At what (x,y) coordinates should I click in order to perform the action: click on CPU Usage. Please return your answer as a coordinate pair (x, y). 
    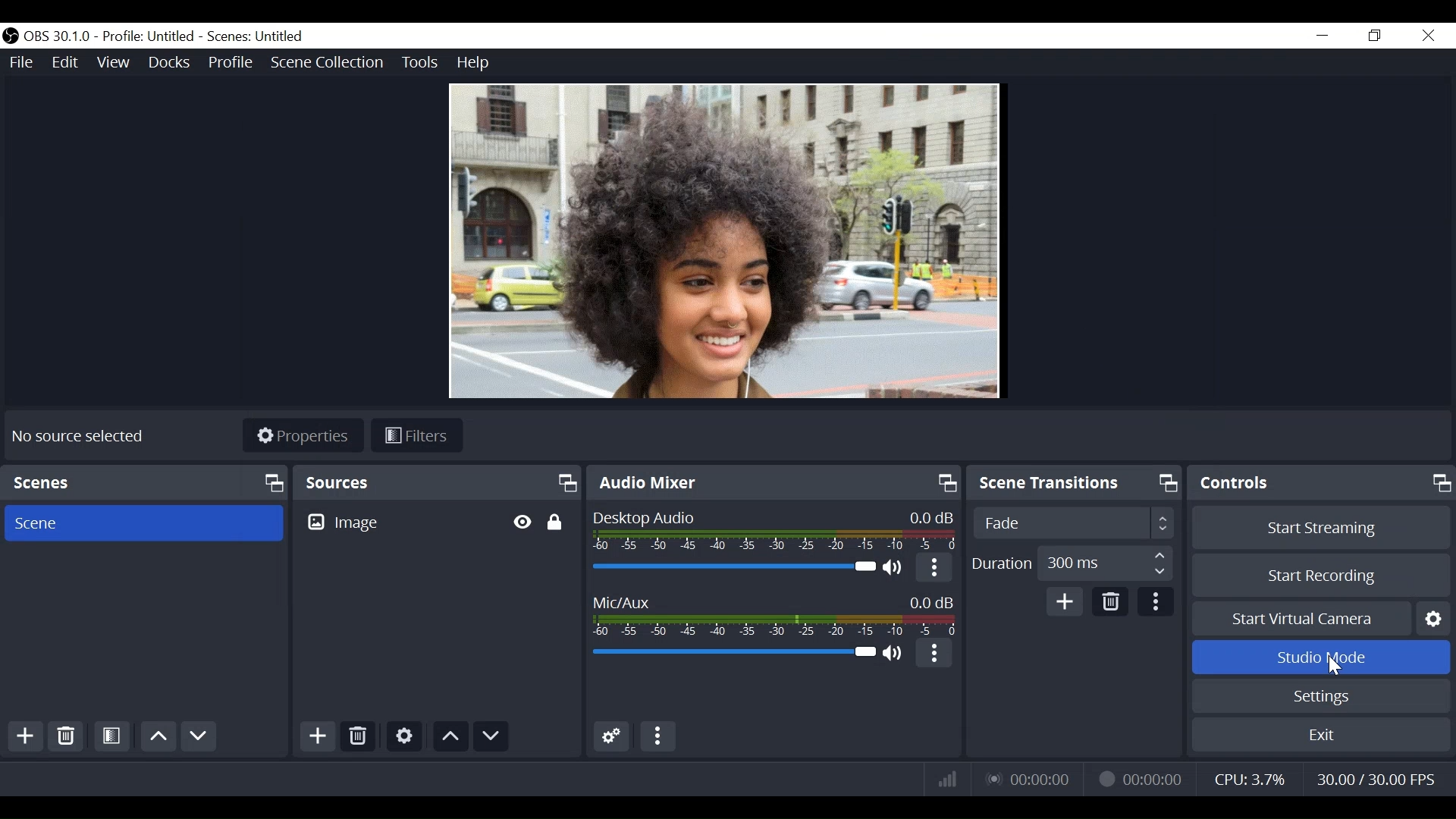
    Looking at the image, I should click on (1249, 778).